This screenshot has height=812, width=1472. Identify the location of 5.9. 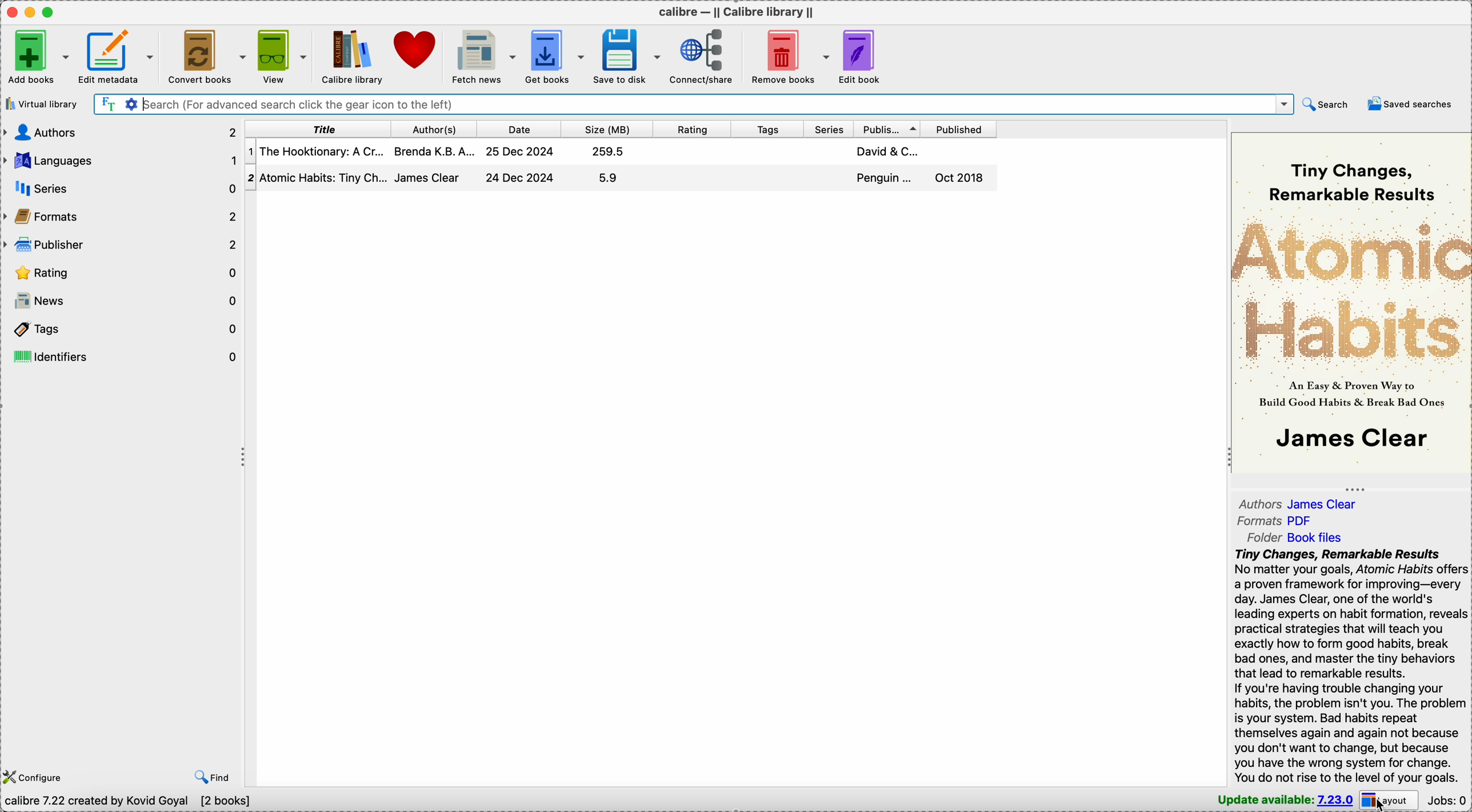
(609, 178).